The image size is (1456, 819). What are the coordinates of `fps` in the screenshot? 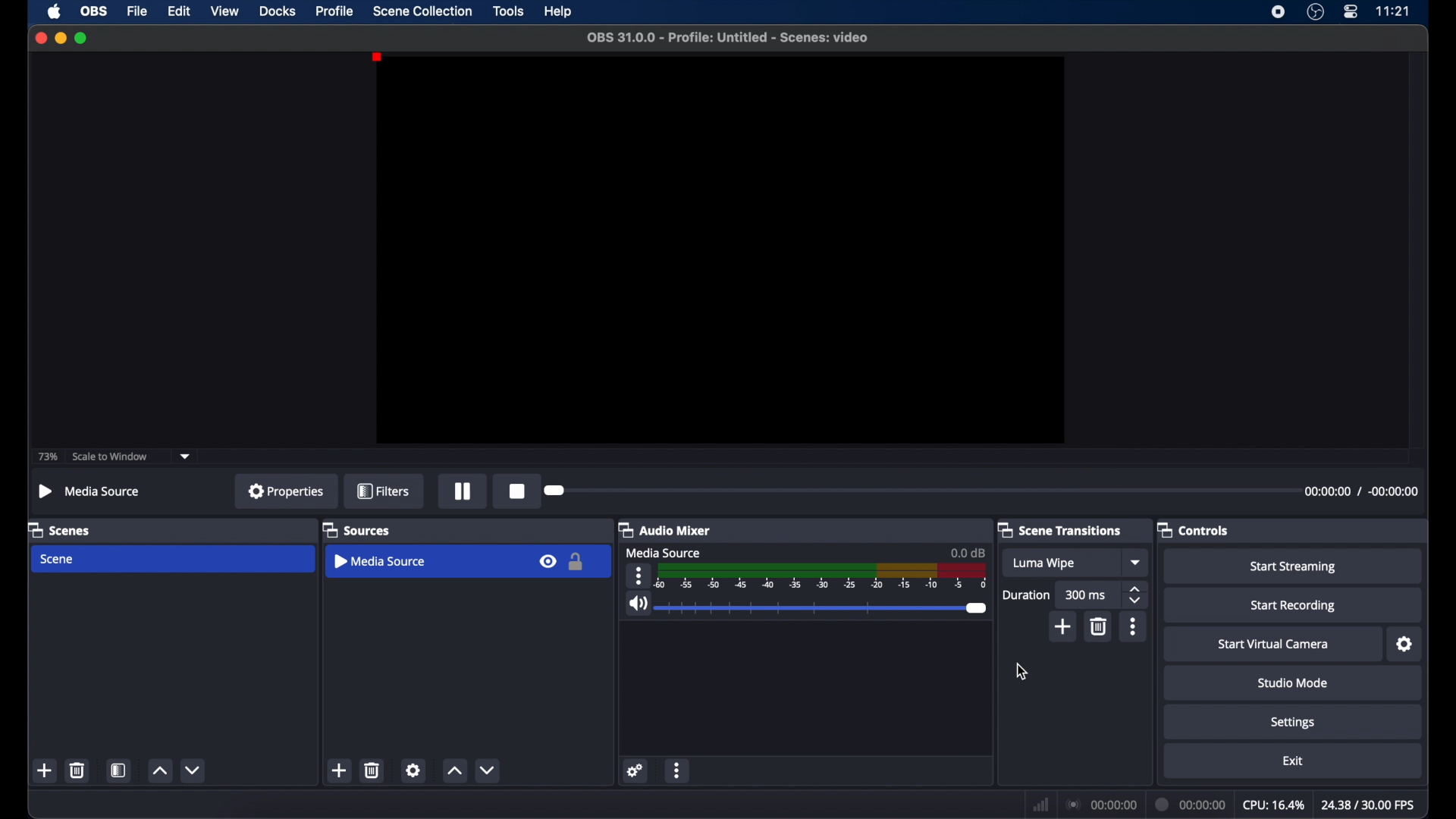 It's located at (1368, 805).